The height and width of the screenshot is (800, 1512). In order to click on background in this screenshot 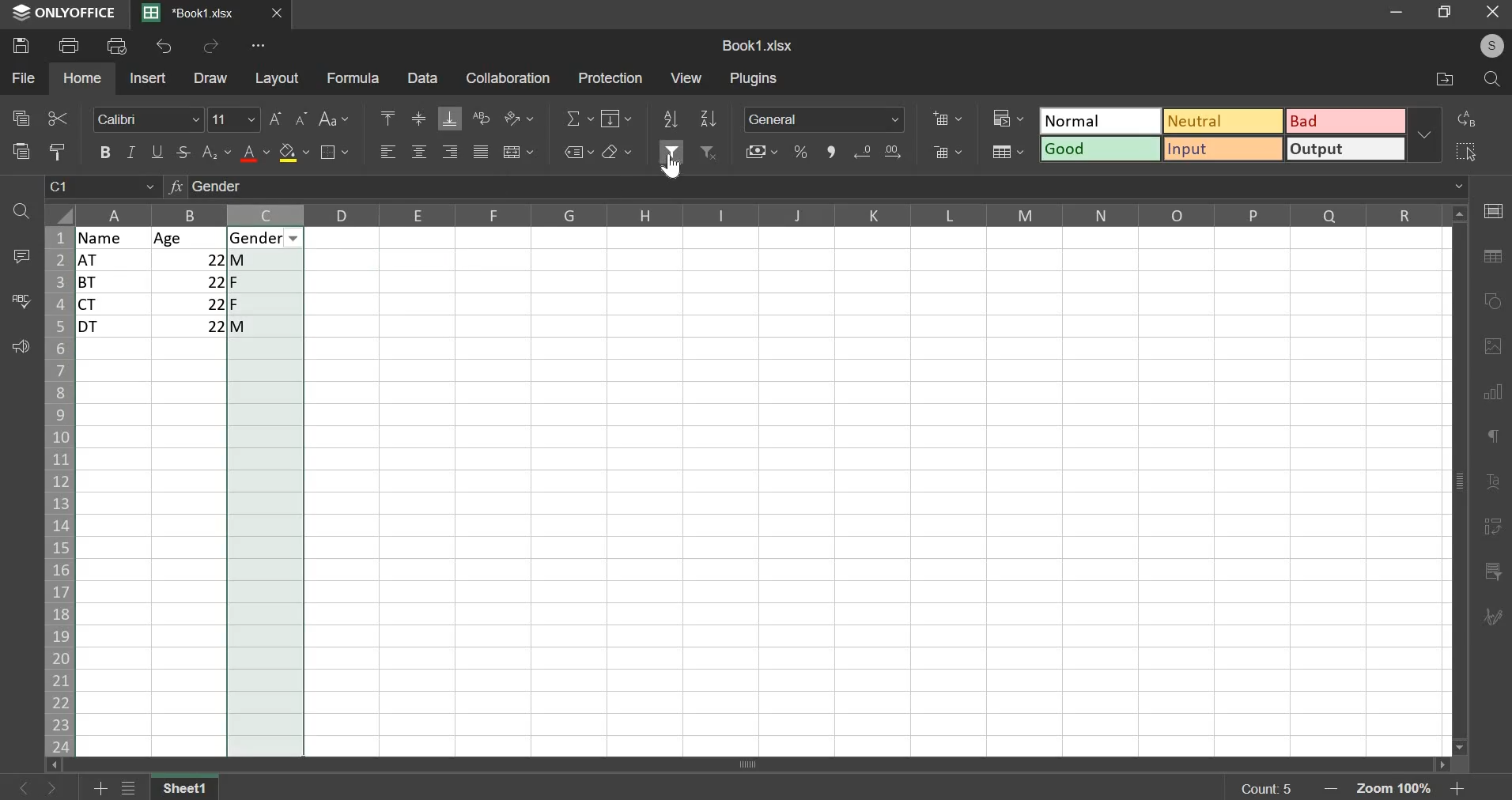, I will do `click(293, 153)`.